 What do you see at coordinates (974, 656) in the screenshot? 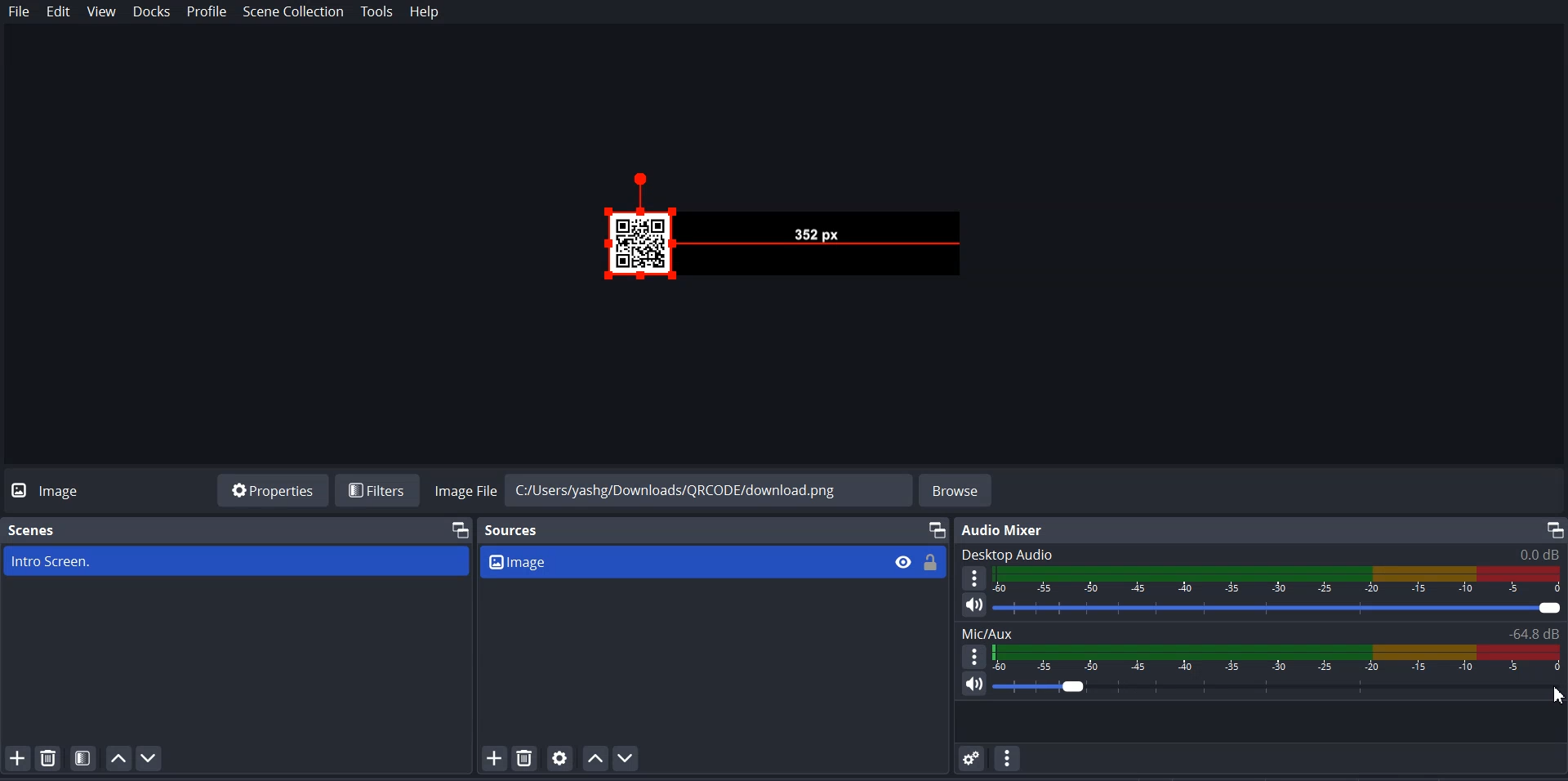
I see `More` at bounding box center [974, 656].